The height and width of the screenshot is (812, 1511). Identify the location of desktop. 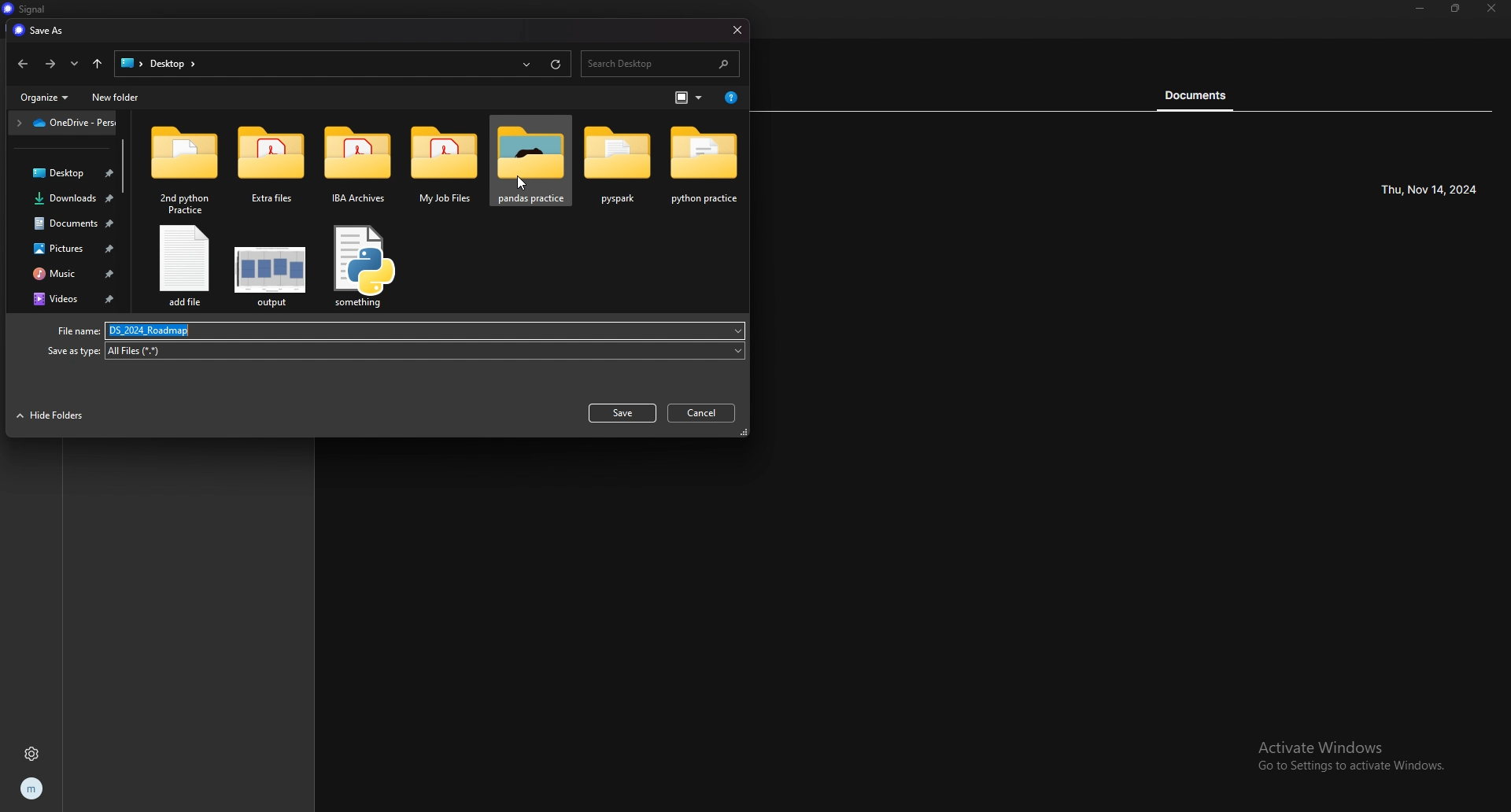
(69, 173).